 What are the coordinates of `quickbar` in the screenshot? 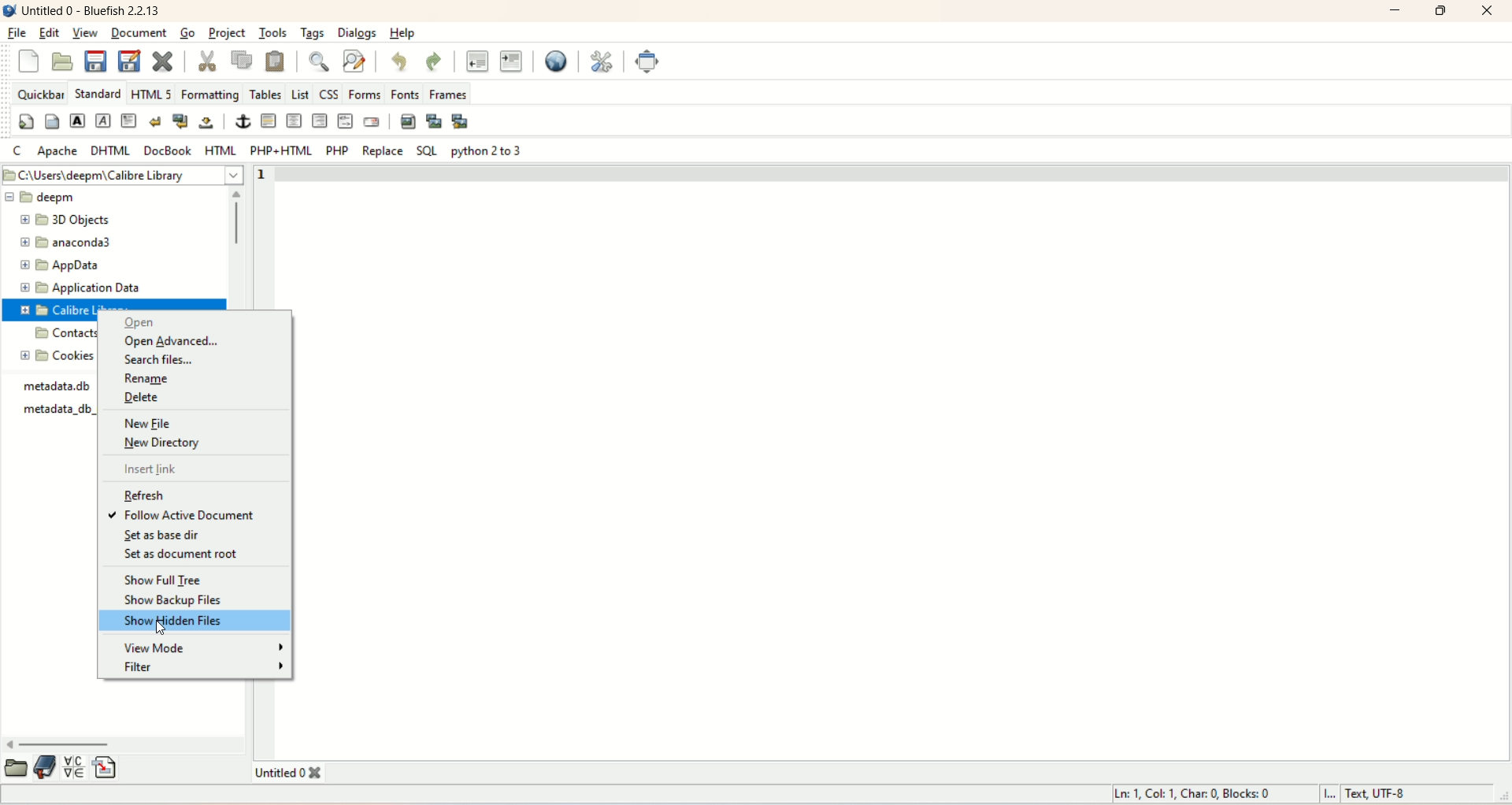 It's located at (39, 95).